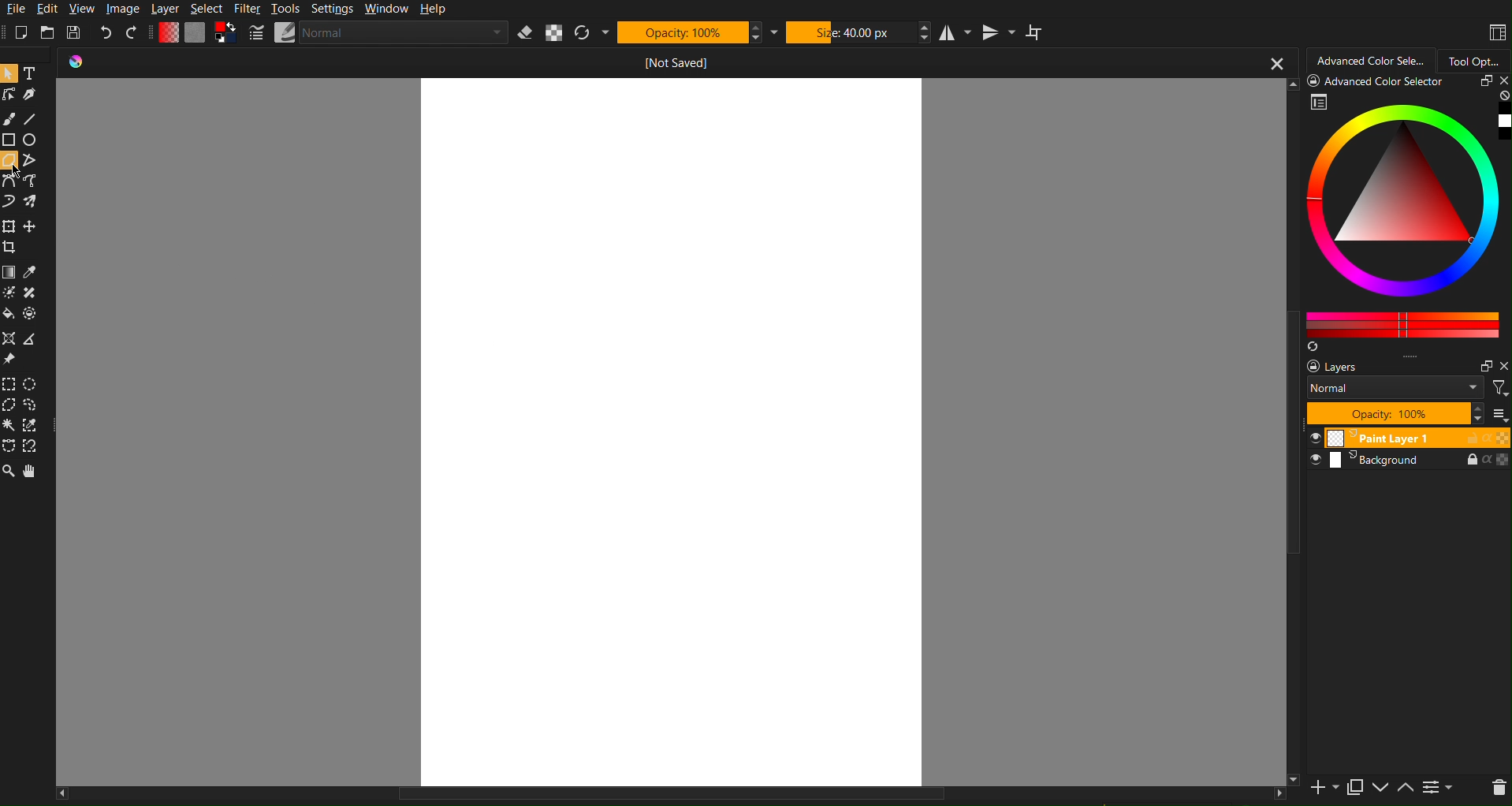 Image resolution: width=1512 pixels, height=806 pixels. I want to click on crop the image to an area, so click(11, 246).